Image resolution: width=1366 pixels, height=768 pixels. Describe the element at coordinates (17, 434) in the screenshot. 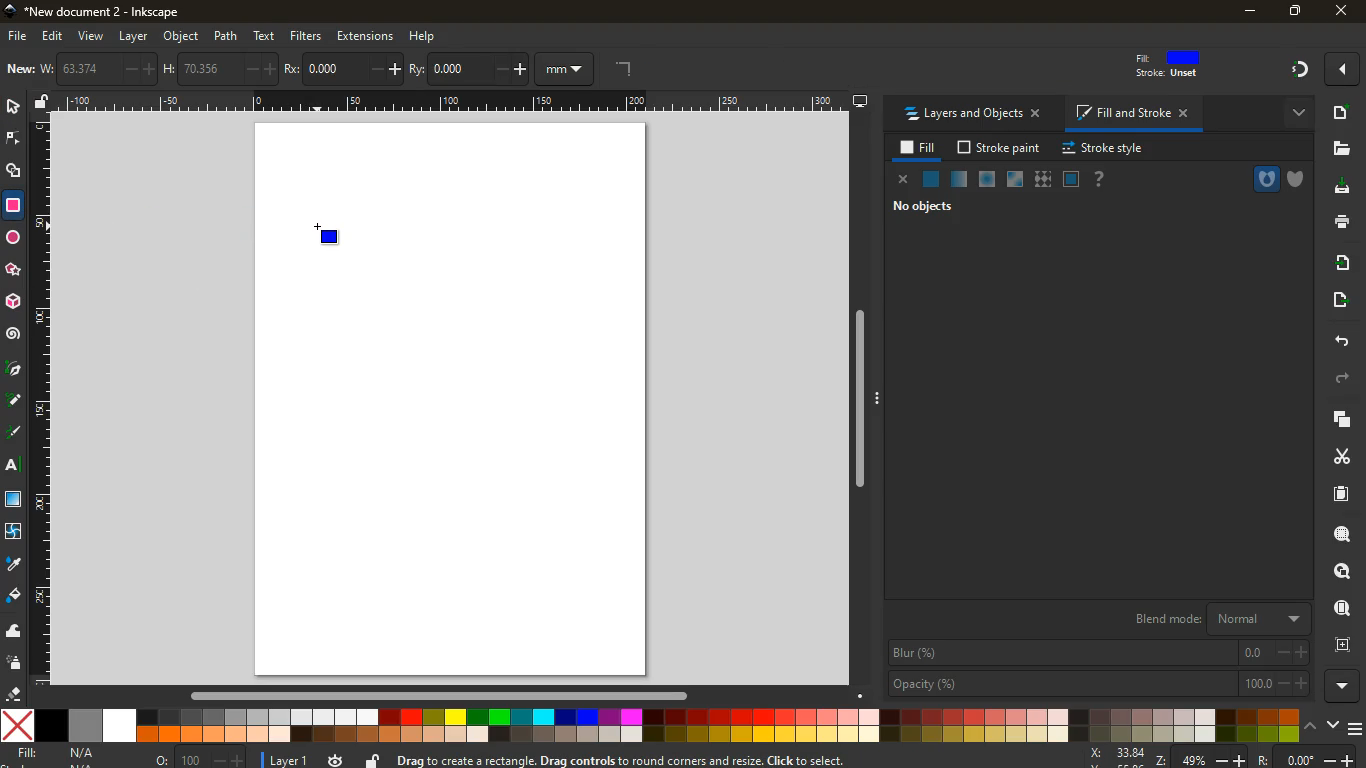

I see `highlight` at that location.